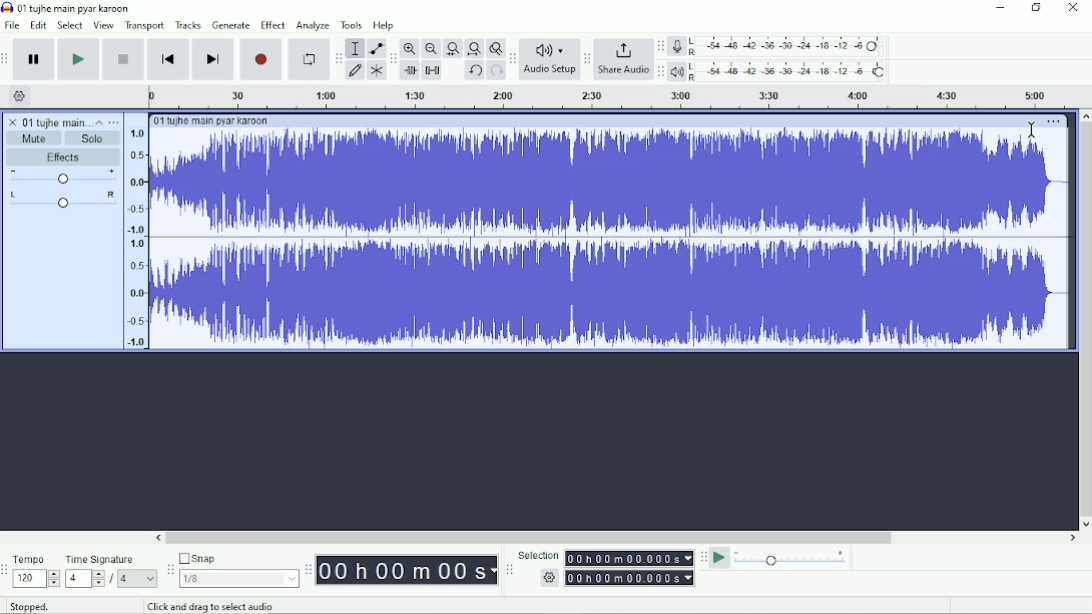 Image resolution: width=1092 pixels, height=614 pixels. Describe the element at coordinates (409, 48) in the screenshot. I see `Zoom In` at that location.